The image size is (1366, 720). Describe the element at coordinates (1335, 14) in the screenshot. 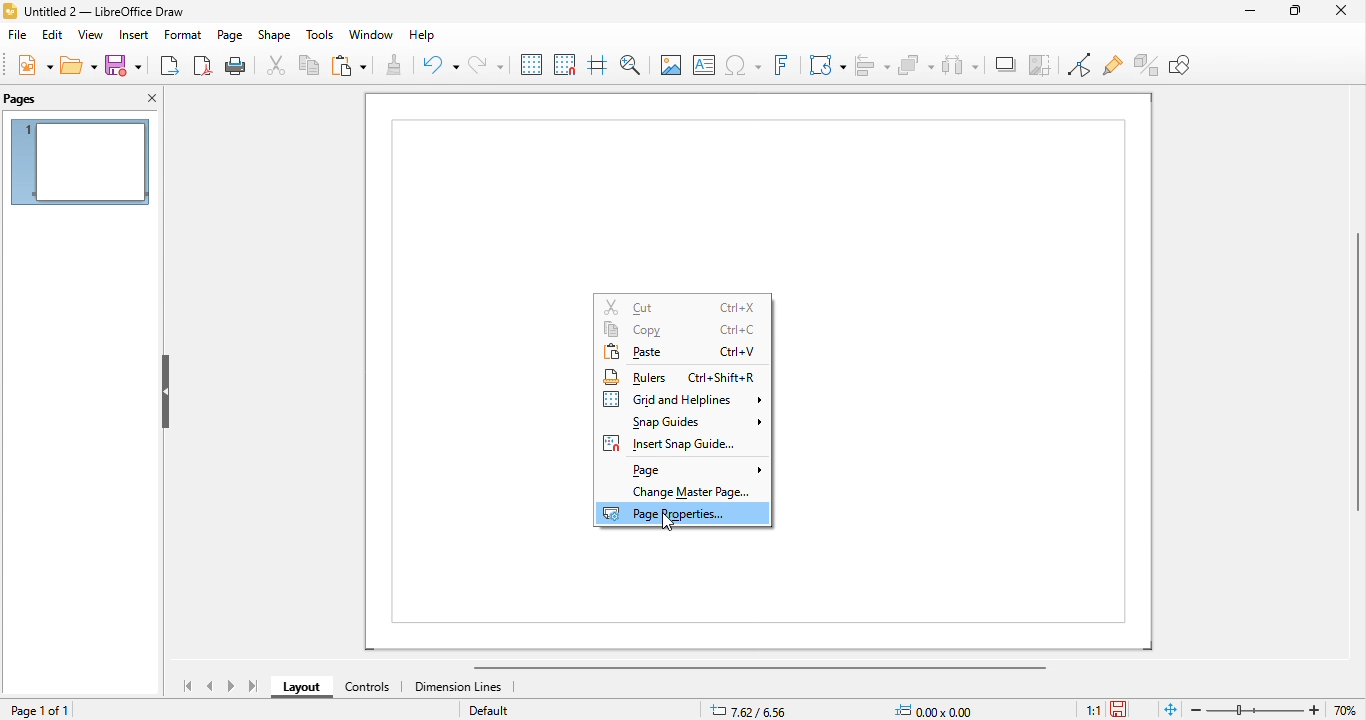

I see `close` at that location.